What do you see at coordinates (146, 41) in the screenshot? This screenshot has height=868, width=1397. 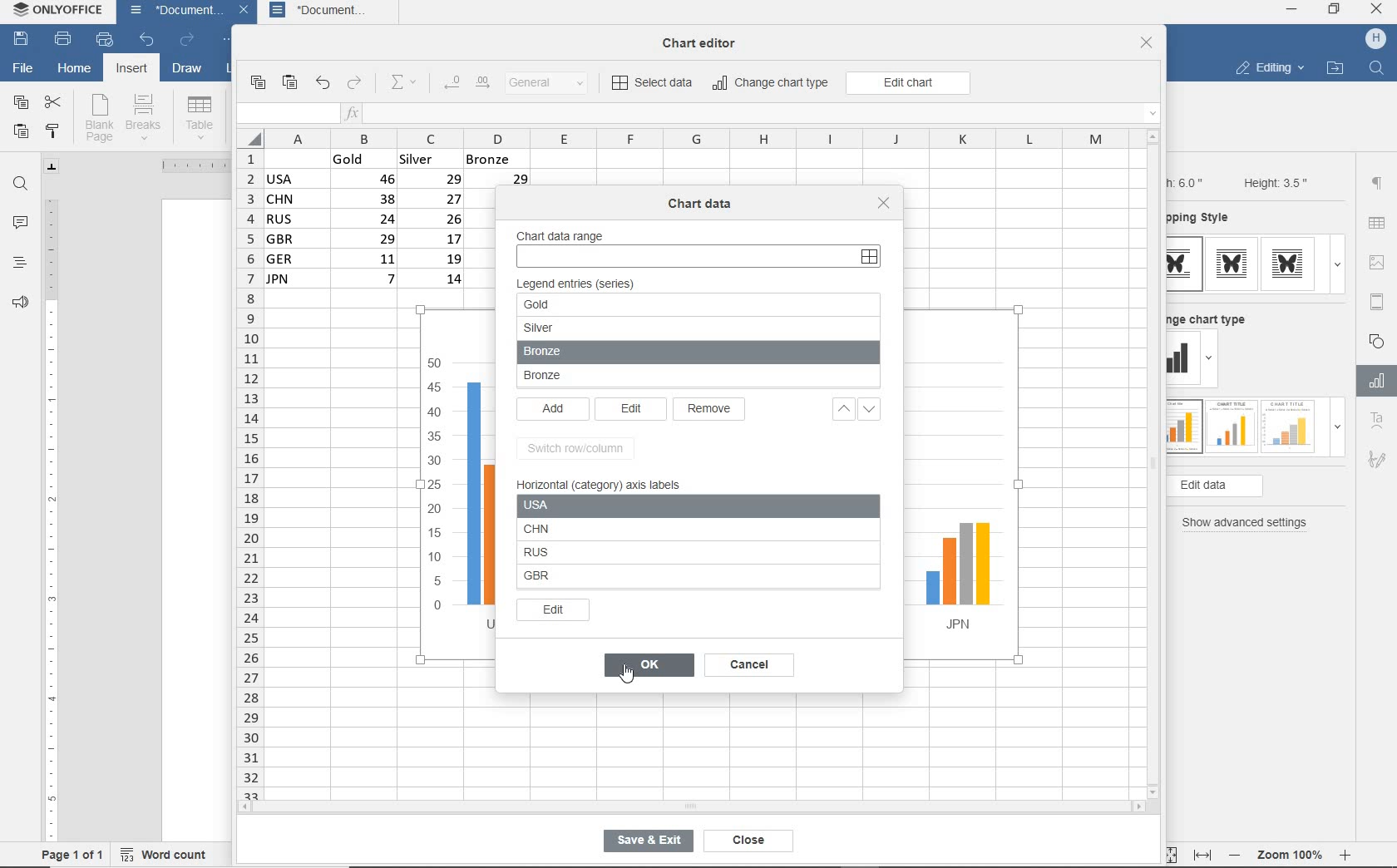 I see `undo` at bounding box center [146, 41].